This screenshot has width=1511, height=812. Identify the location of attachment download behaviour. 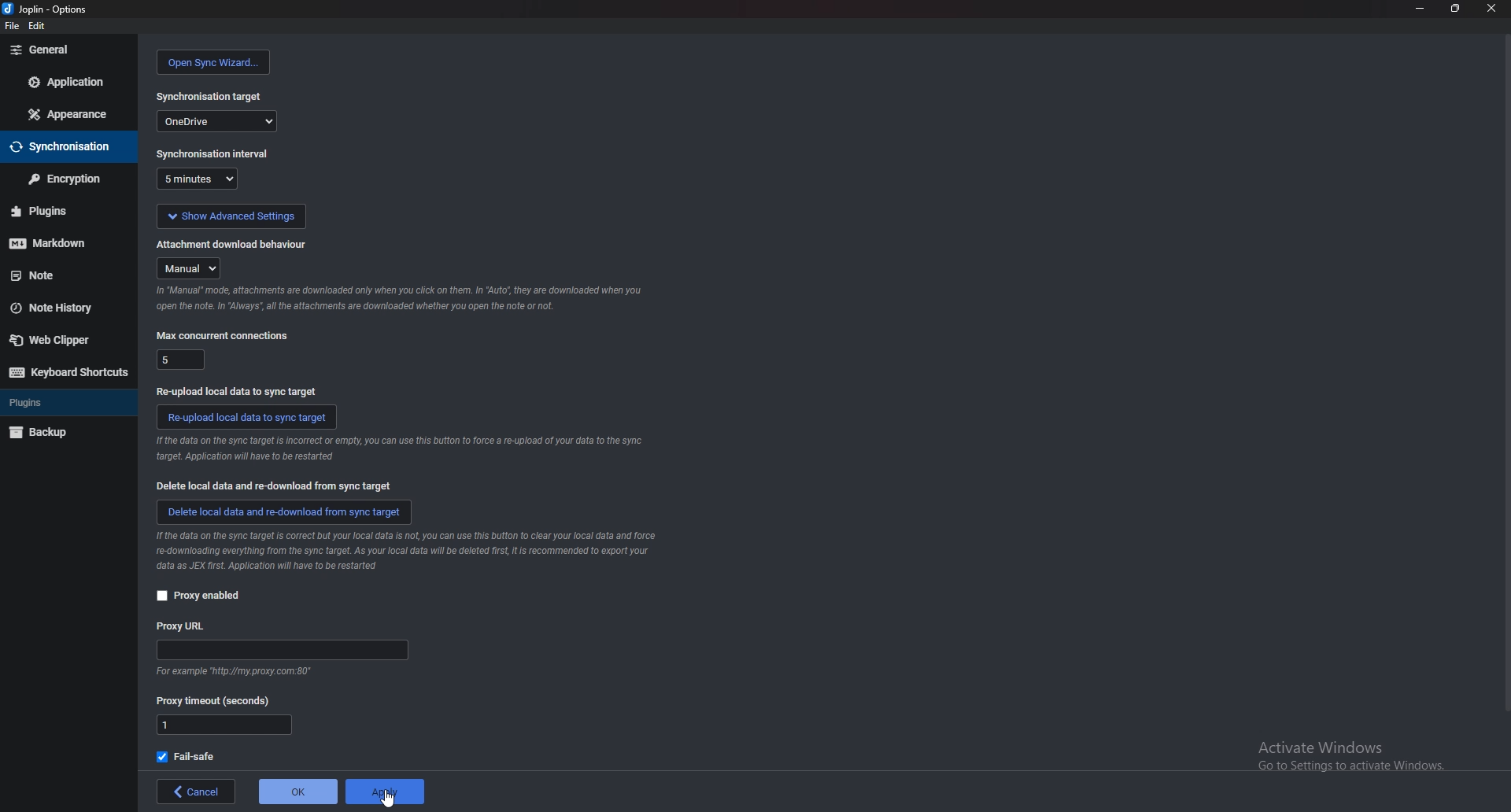
(231, 244).